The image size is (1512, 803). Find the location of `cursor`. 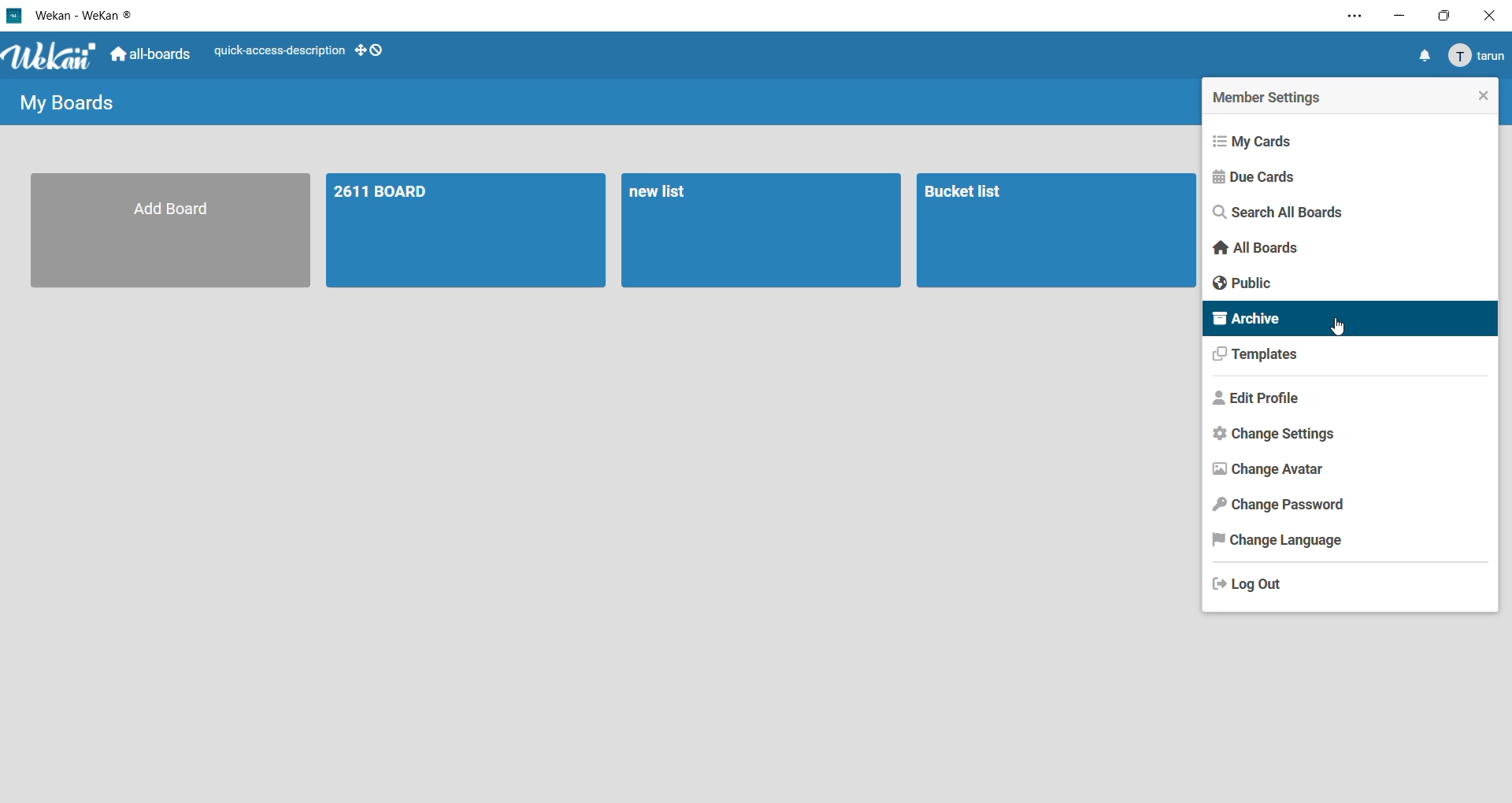

cursor is located at coordinates (1340, 327).